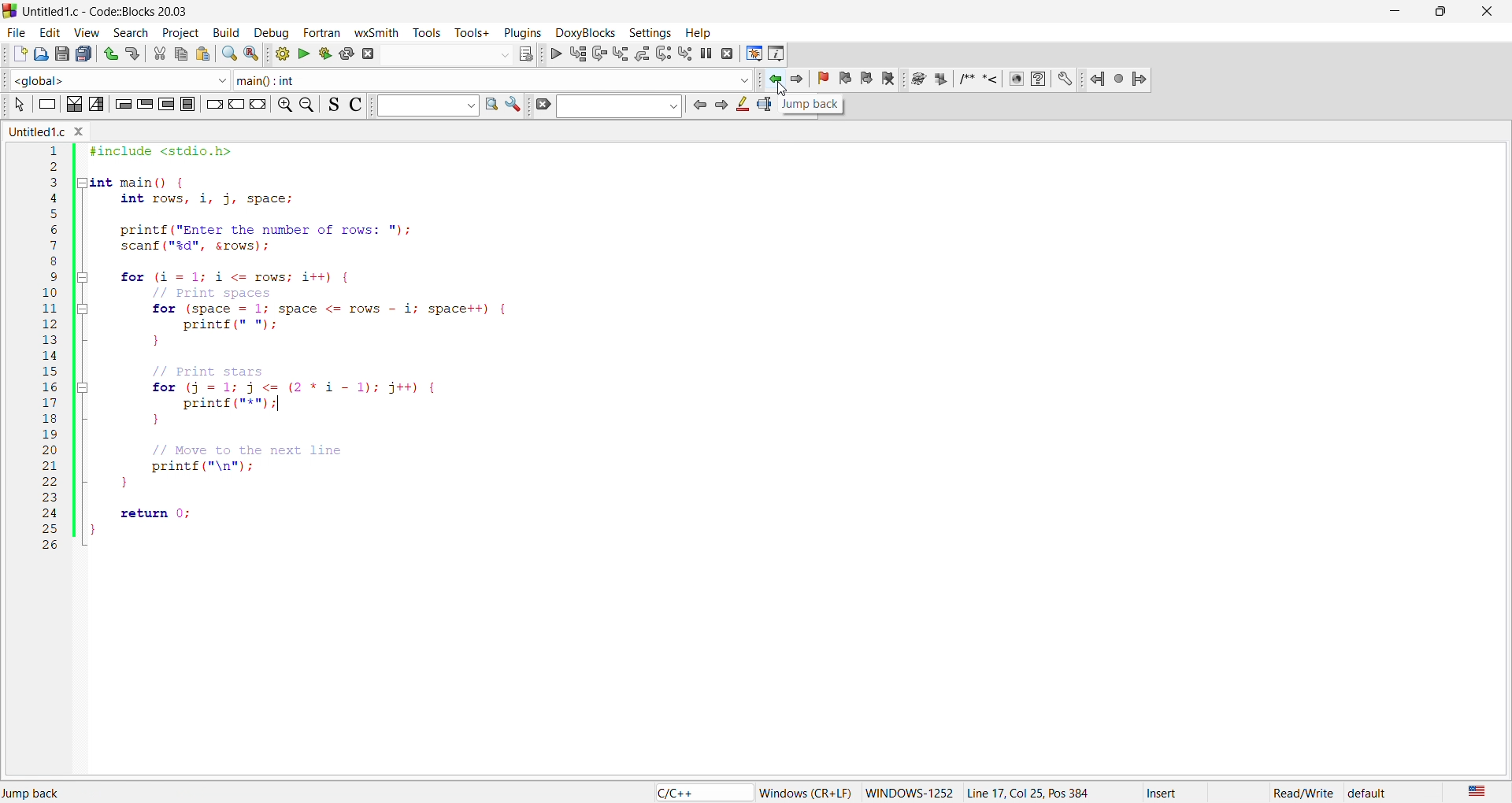 This screenshot has height=803, width=1512. What do you see at coordinates (762, 355) in the screenshot?
I see `code editor - #include <stdio.h> int main() { int rows, i, j, space; printf("Enter the number of rows: "); scanf("%d", &rows); for (i=1; i <= rows; i++) { // Print spaces for (space 1; space <= rows i; space++) { printf(" "); } // Print stars for (j = 1; j <= (2*11); j++) { printf("*"); } // Move to the next line printf("\n"); return 0` at bounding box center [762, 355].